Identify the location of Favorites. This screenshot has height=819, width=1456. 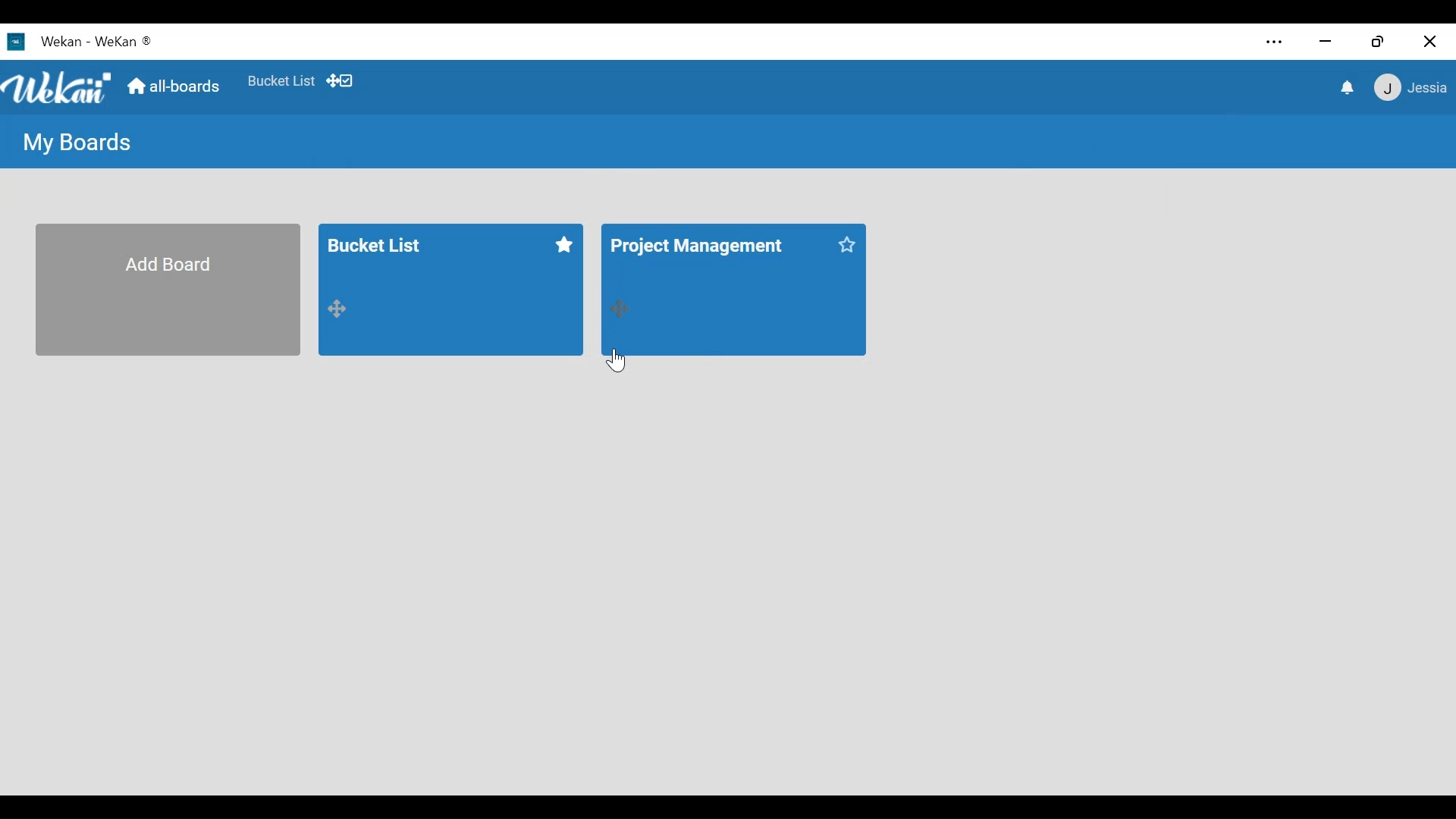
(281, 80).